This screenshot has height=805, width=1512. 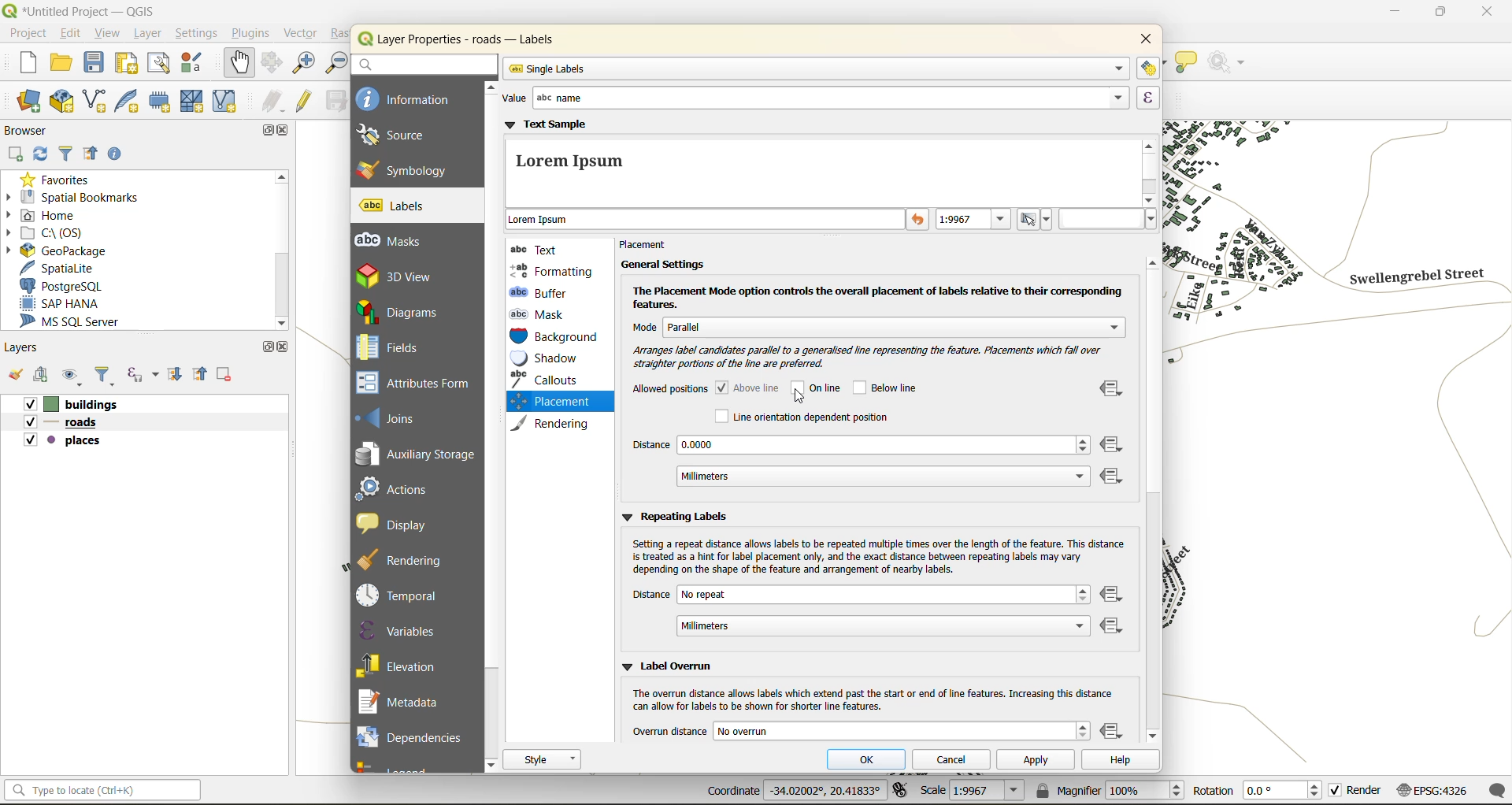 I want to click on formatting, so click(x=552, y=271).